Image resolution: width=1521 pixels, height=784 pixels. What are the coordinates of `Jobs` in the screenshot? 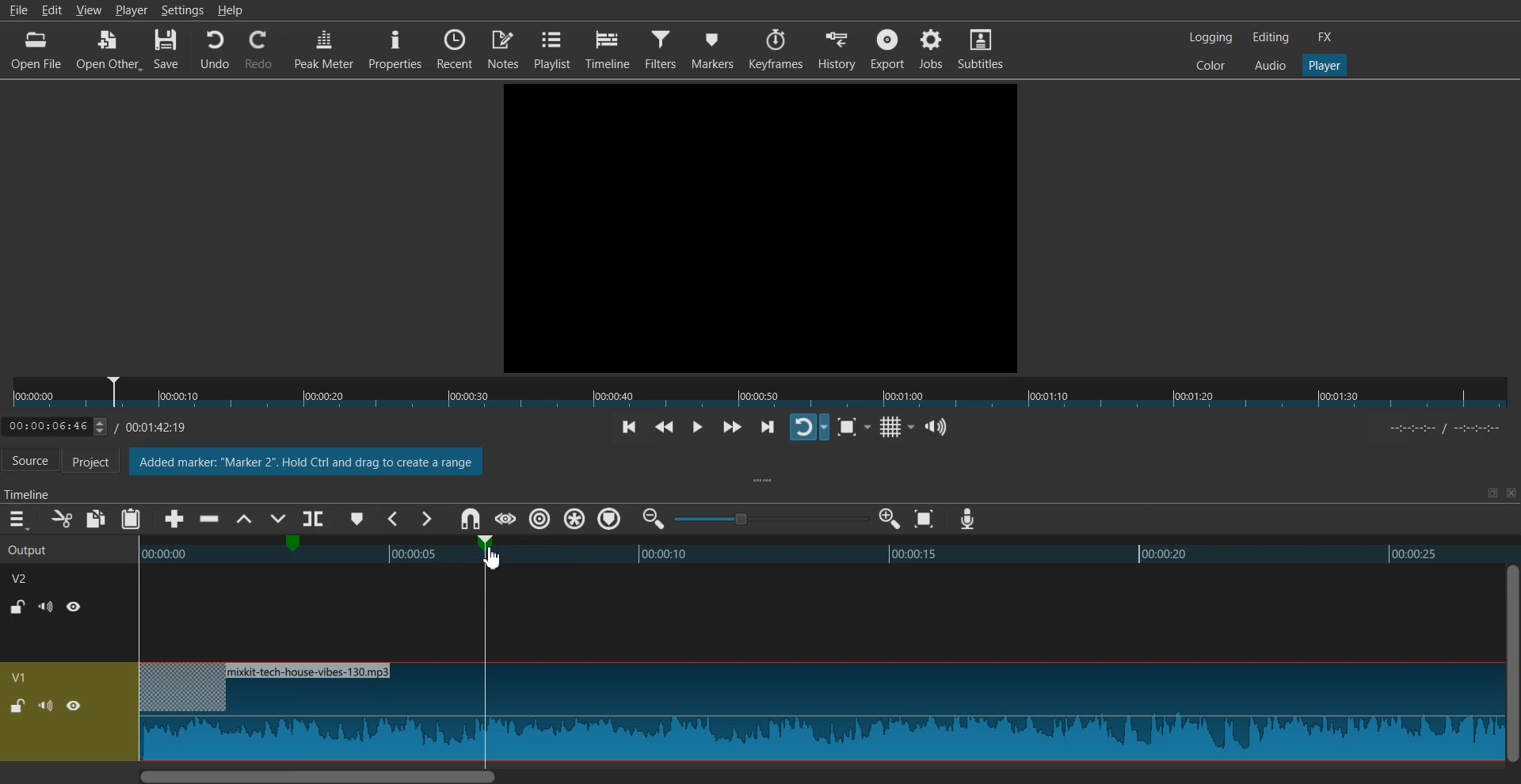 It's located at (930, 48).